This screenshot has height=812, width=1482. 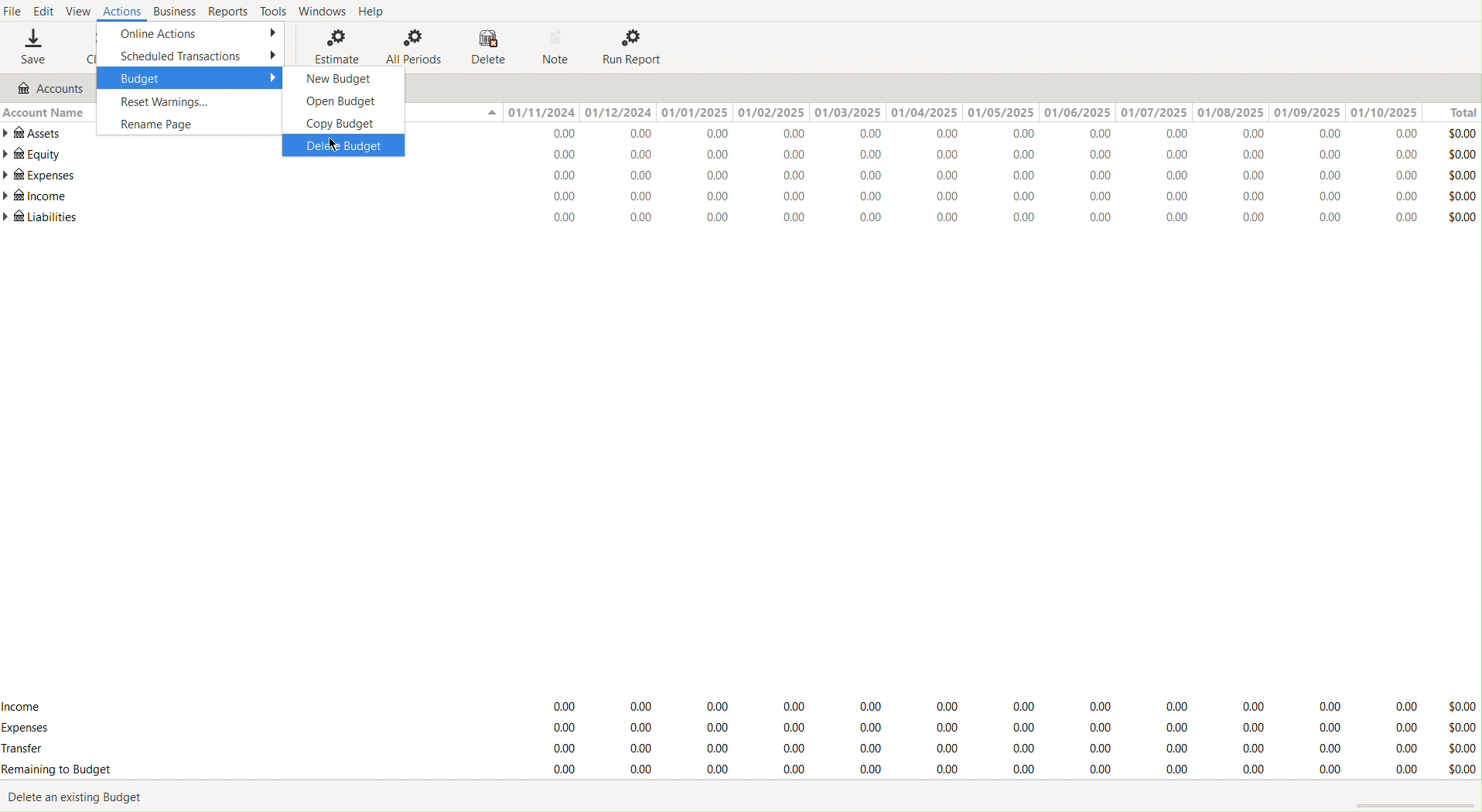 What do you see at coordinates (27, 728) in the screenshot?
I see `Expenses` at bounding box center [27, 728].